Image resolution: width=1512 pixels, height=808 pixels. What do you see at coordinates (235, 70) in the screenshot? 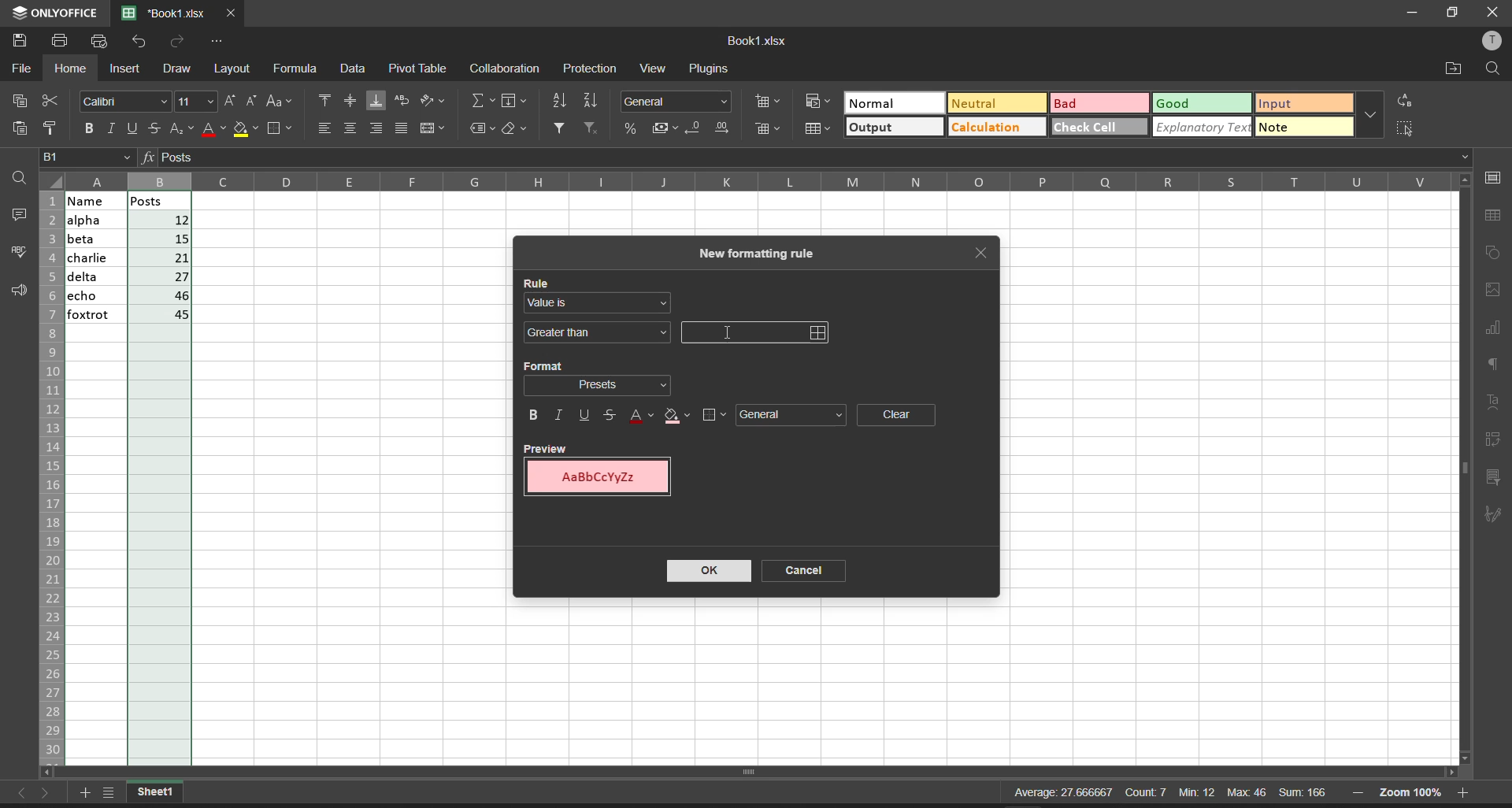
I see `layout` at bounding box center [235, 70].